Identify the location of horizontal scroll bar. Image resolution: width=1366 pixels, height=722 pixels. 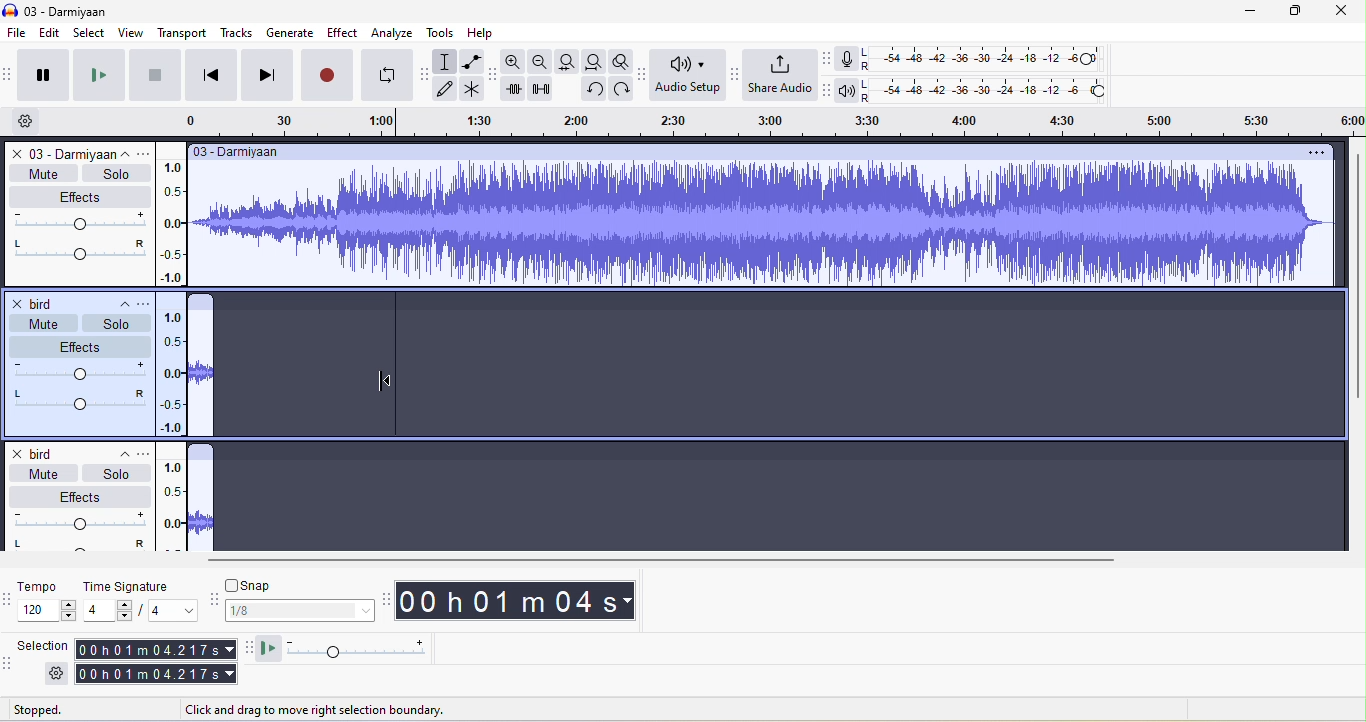
(656, 559).